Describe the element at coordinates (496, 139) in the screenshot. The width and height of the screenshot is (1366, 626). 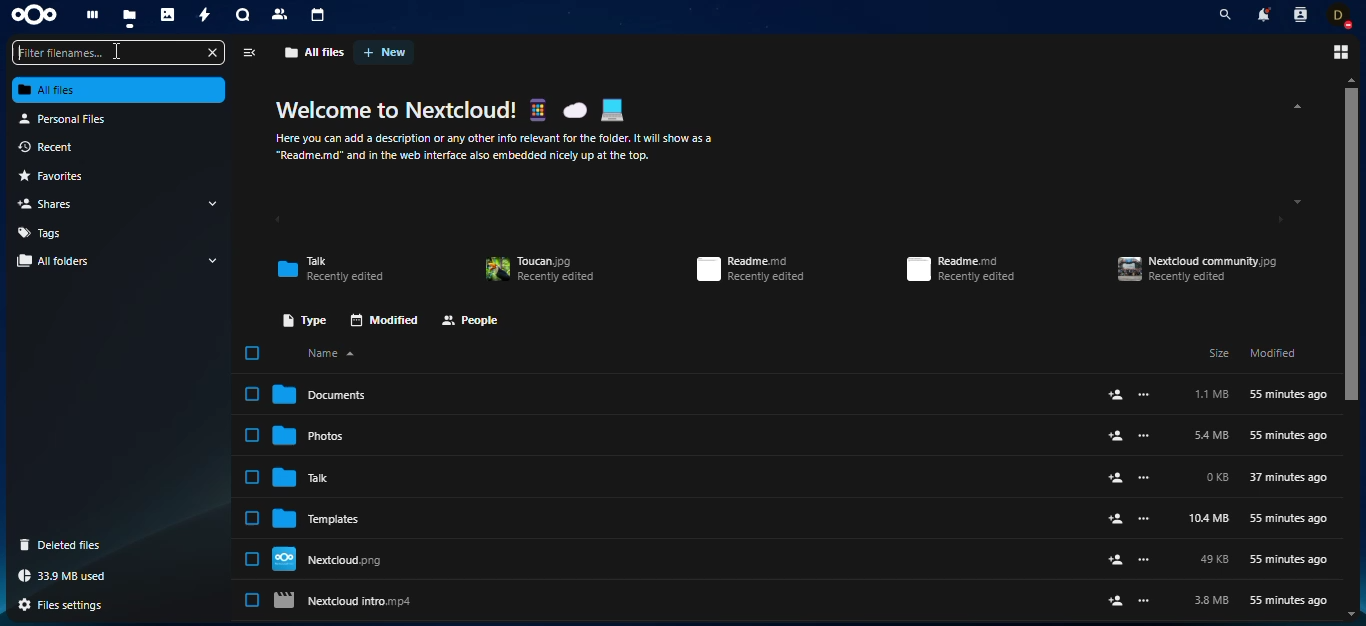
I see `Here you can add a description or any other info relevant for the folder. It will show as a` at that location.